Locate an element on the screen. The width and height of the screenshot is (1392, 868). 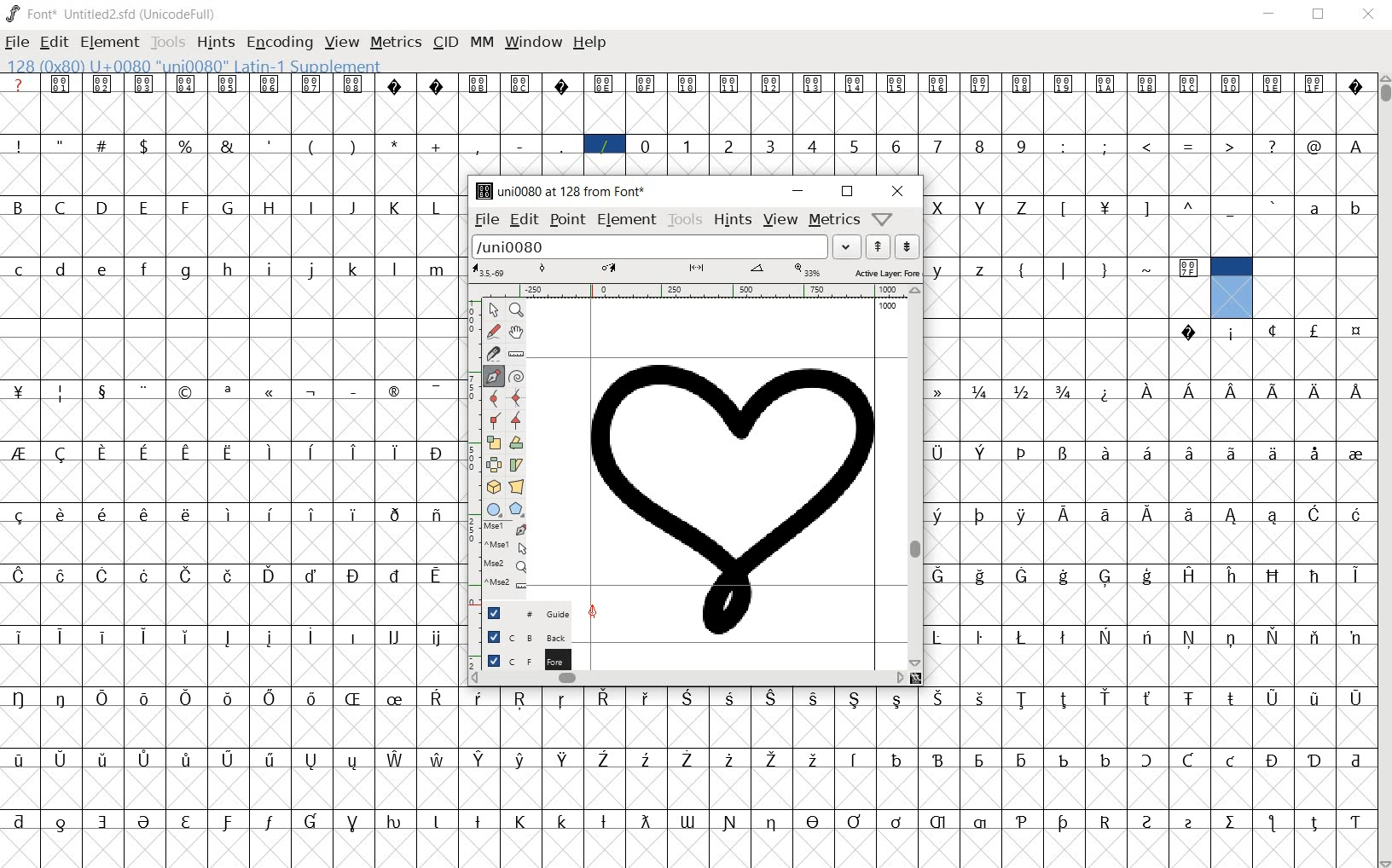
glyph is located at coordinates (61, 576).